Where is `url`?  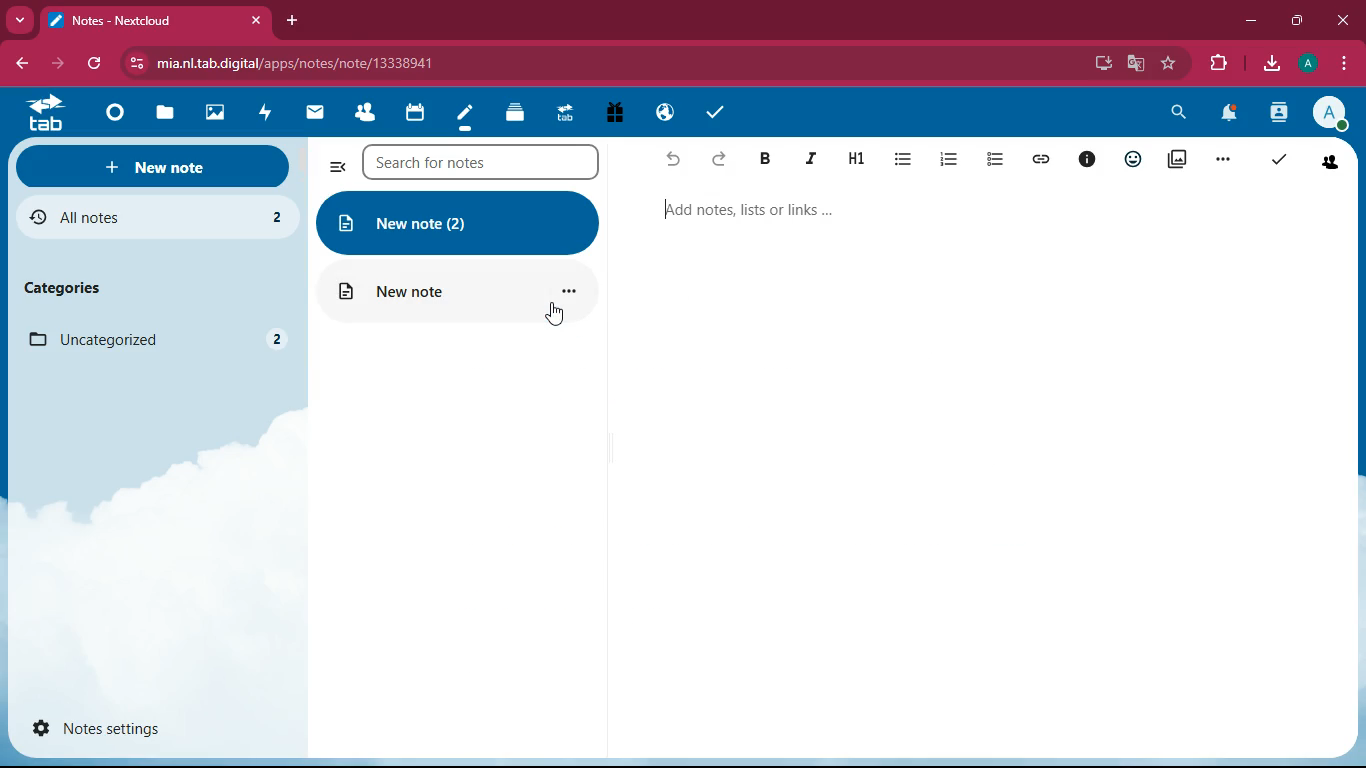
url is located at coordinates (318, 66).